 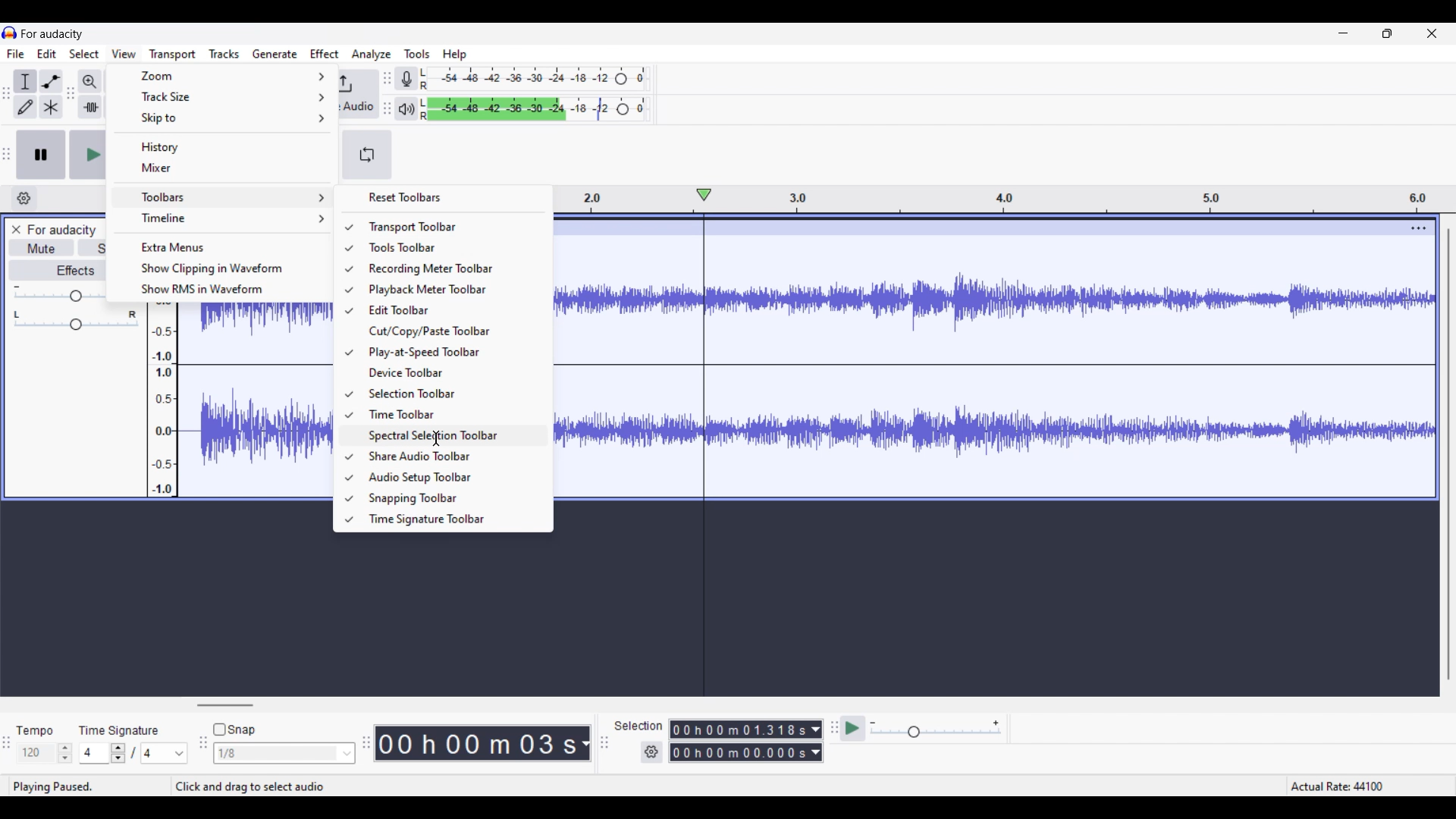 What do you see at coordinates (47, 53) in the screenshot?
I see `Edit menu` at bounding box center [47, 53].